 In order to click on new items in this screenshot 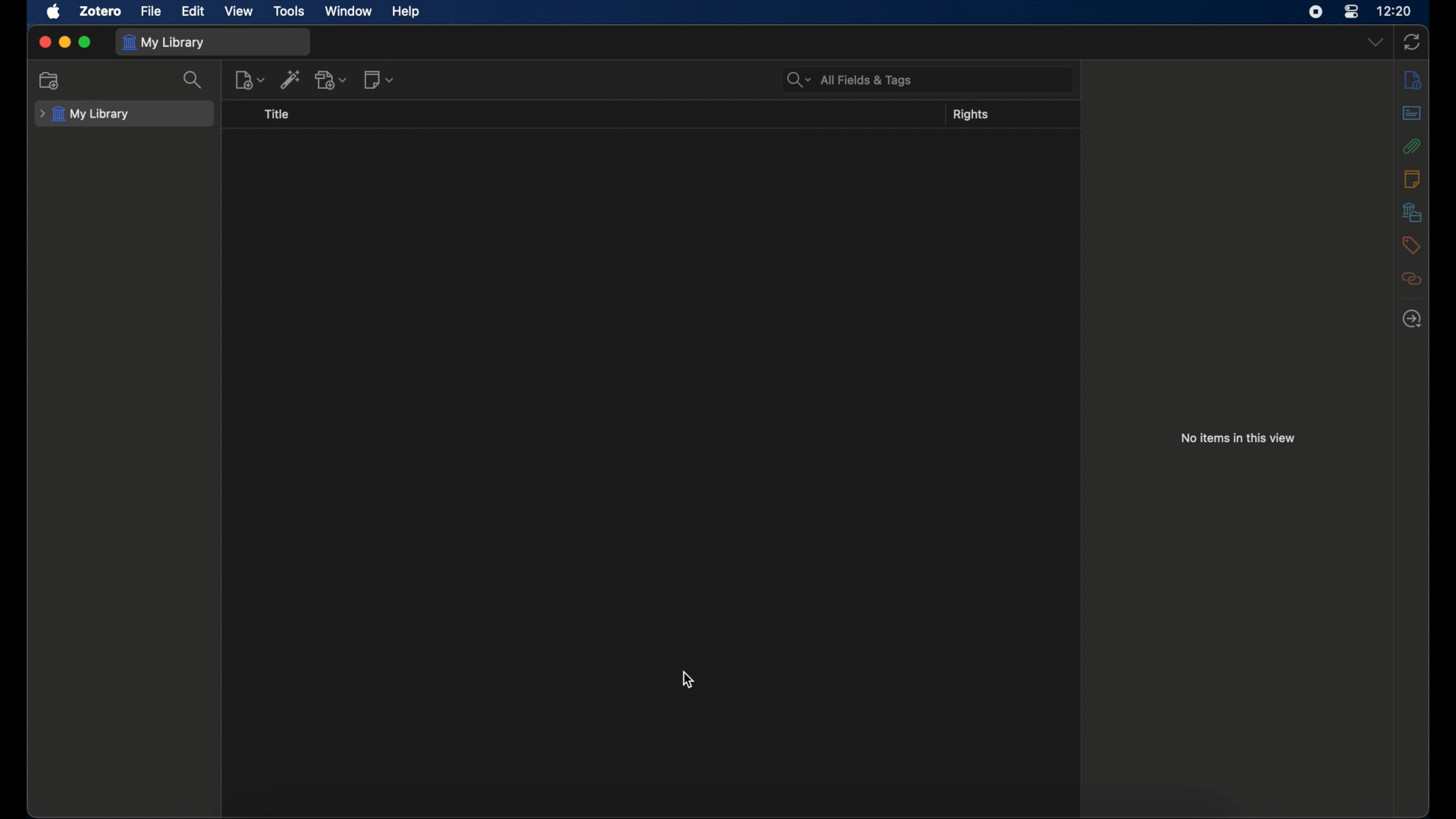, I will do `click(249, 80)`.